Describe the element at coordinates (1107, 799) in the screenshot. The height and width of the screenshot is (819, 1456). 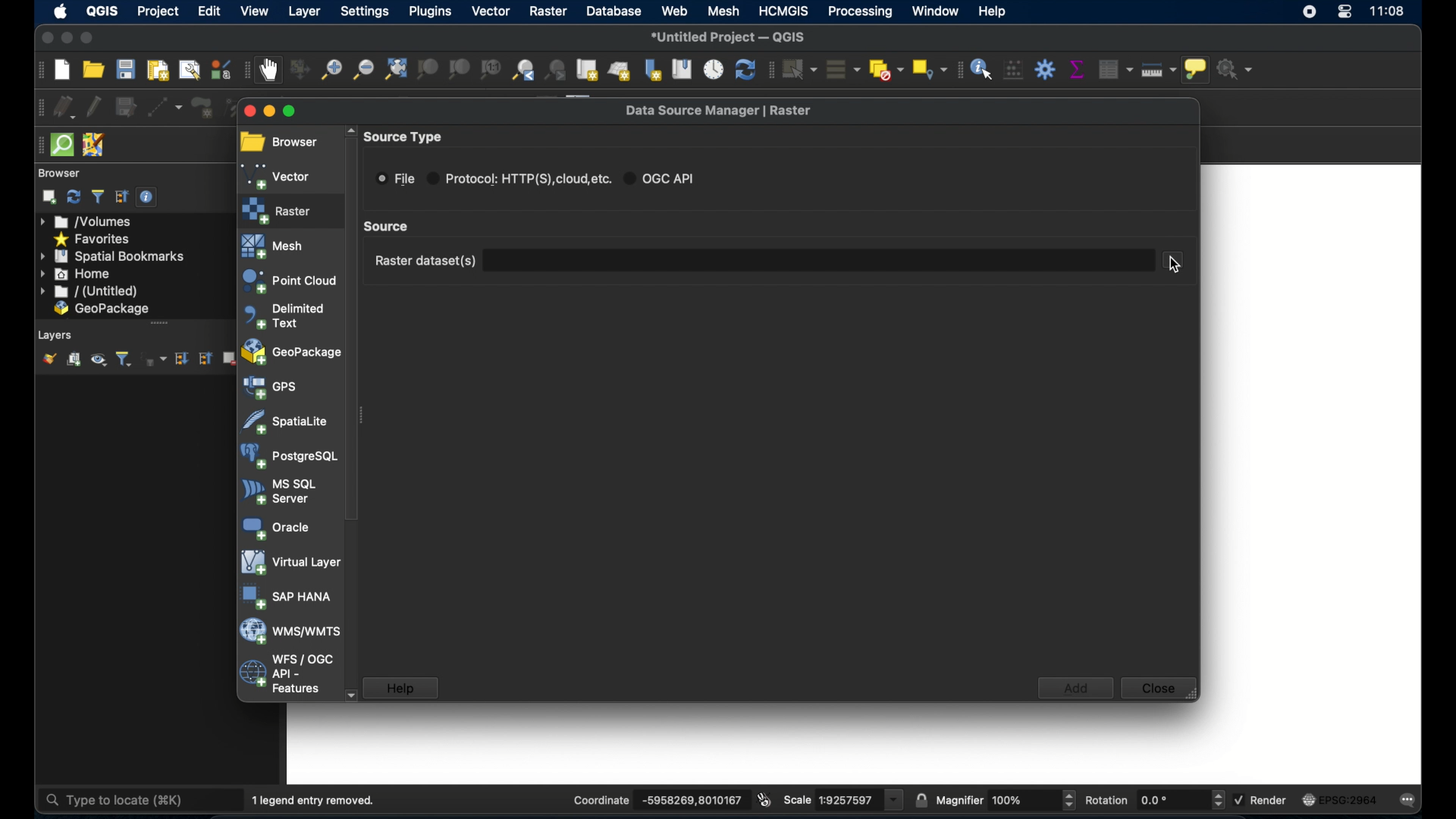
I see `rotations` at that location.